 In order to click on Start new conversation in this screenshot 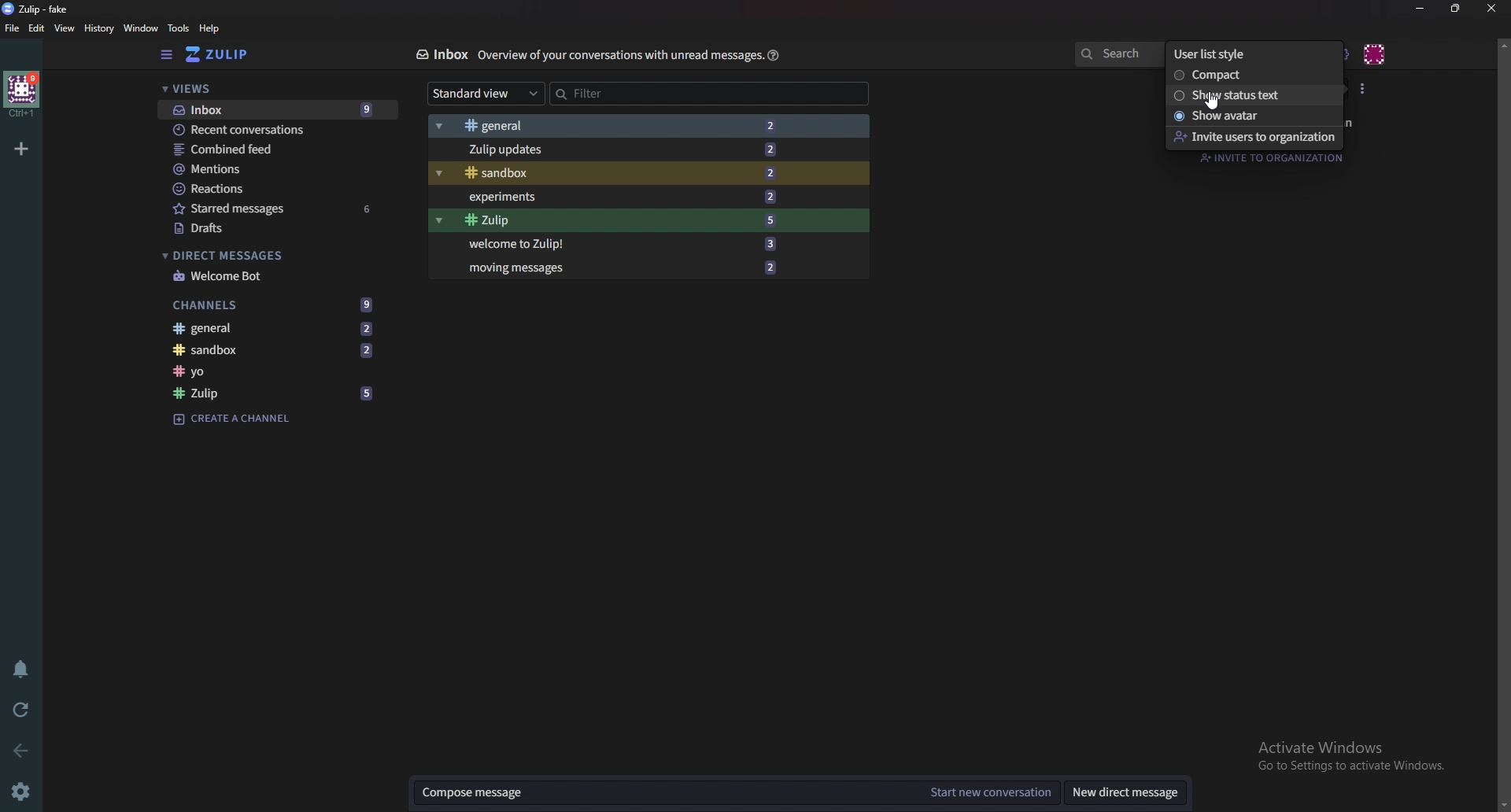, I will do `click(992, 792)`.